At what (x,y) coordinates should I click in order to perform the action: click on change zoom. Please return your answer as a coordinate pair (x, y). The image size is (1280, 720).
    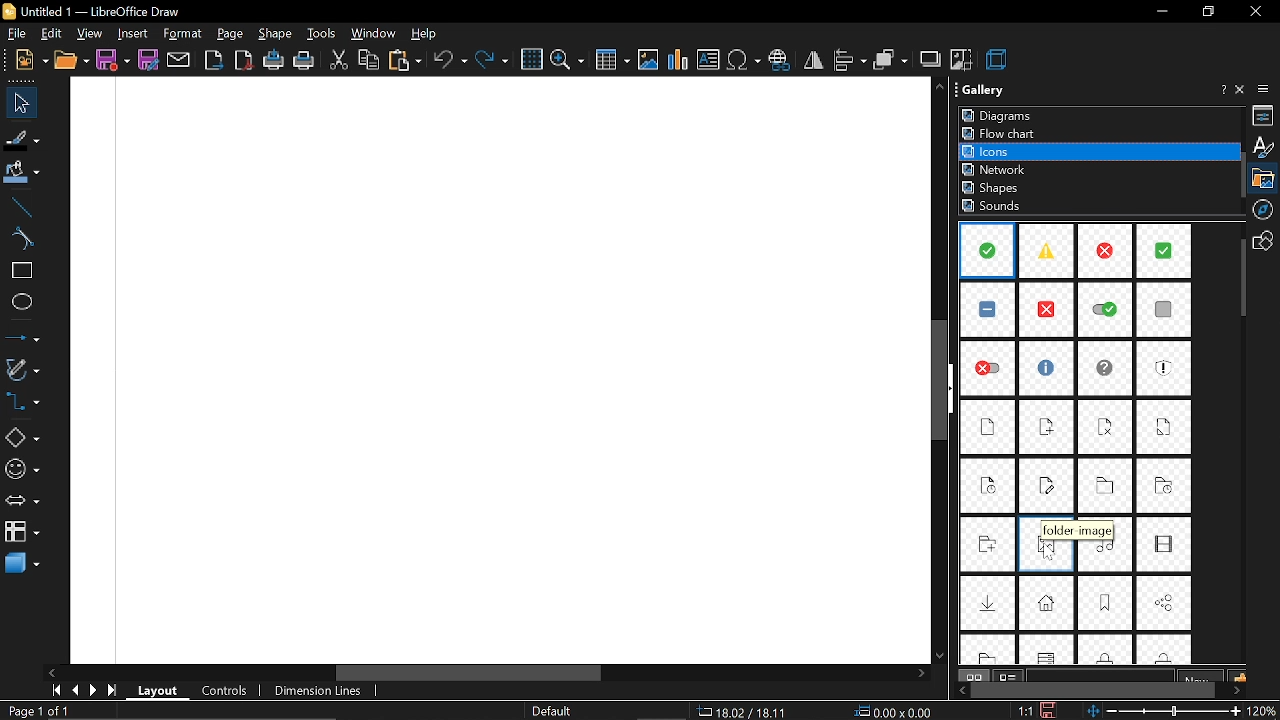
    Looking at the image, I should click on (1165, 712).